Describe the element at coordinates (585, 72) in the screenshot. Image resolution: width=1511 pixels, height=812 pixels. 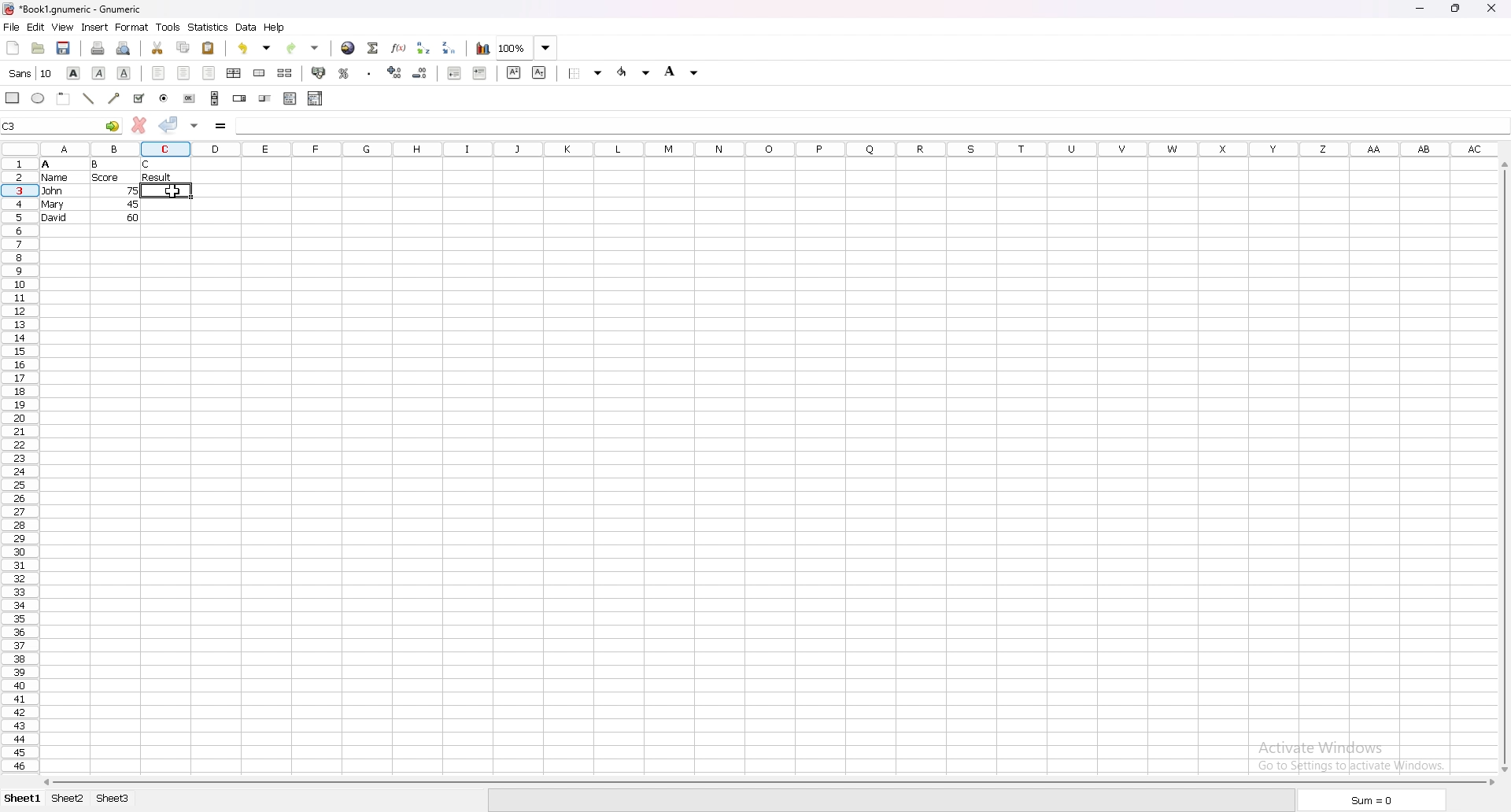
I see `borders` at that location.